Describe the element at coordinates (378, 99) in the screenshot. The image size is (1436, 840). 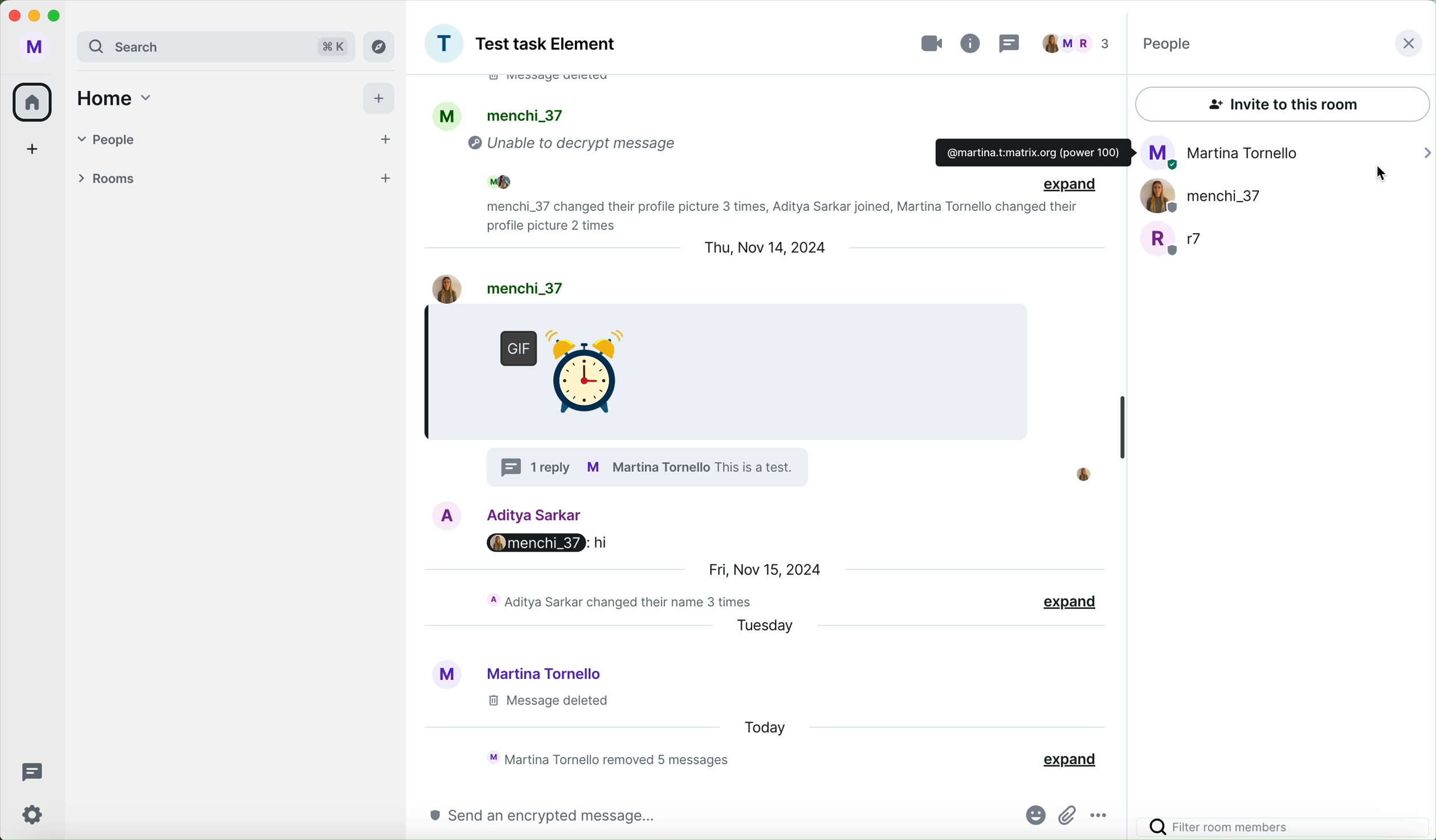
I see `add` at that location.